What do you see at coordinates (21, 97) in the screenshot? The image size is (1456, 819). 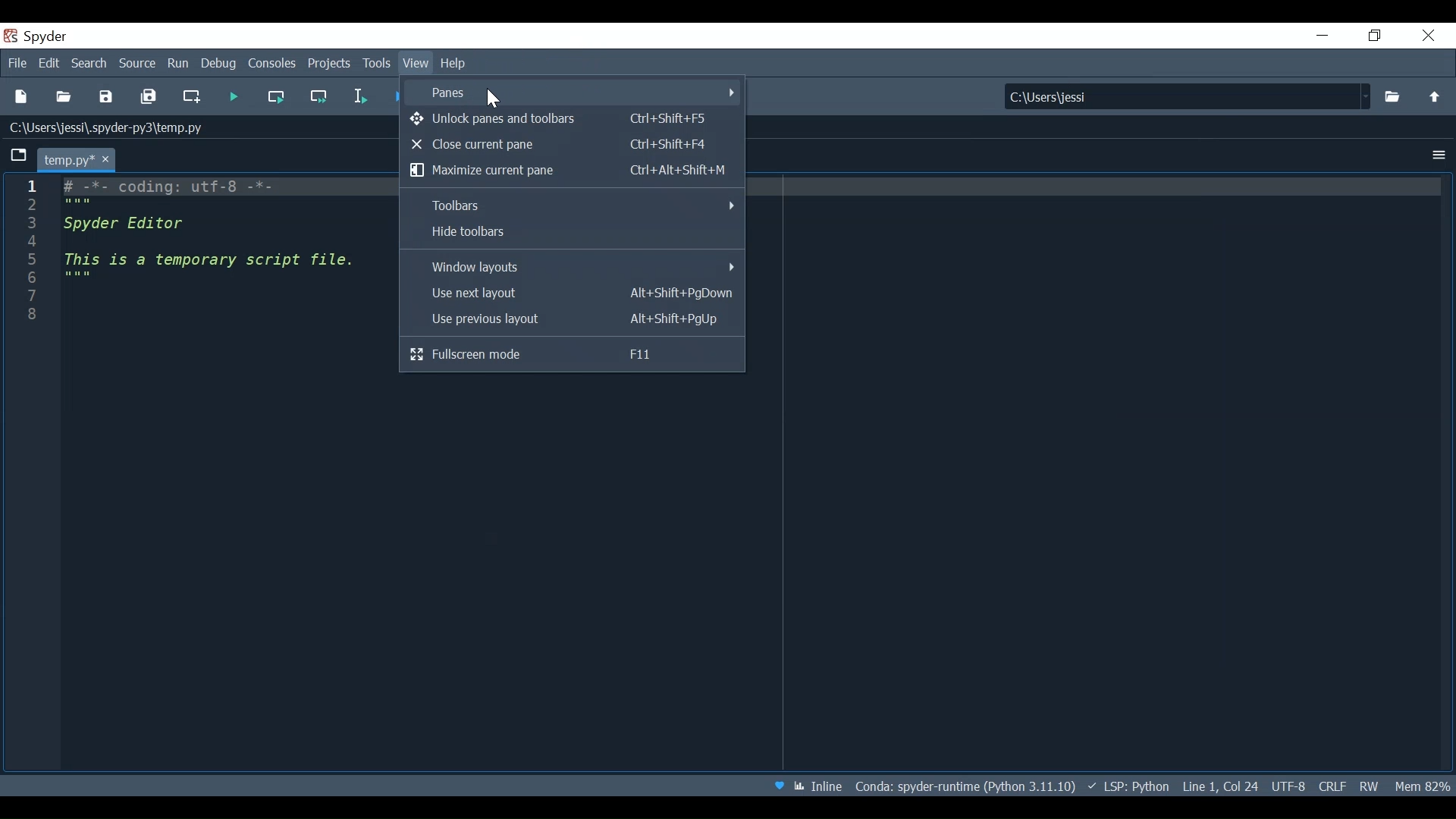 I see `New File` at bounding box center [21, 97].